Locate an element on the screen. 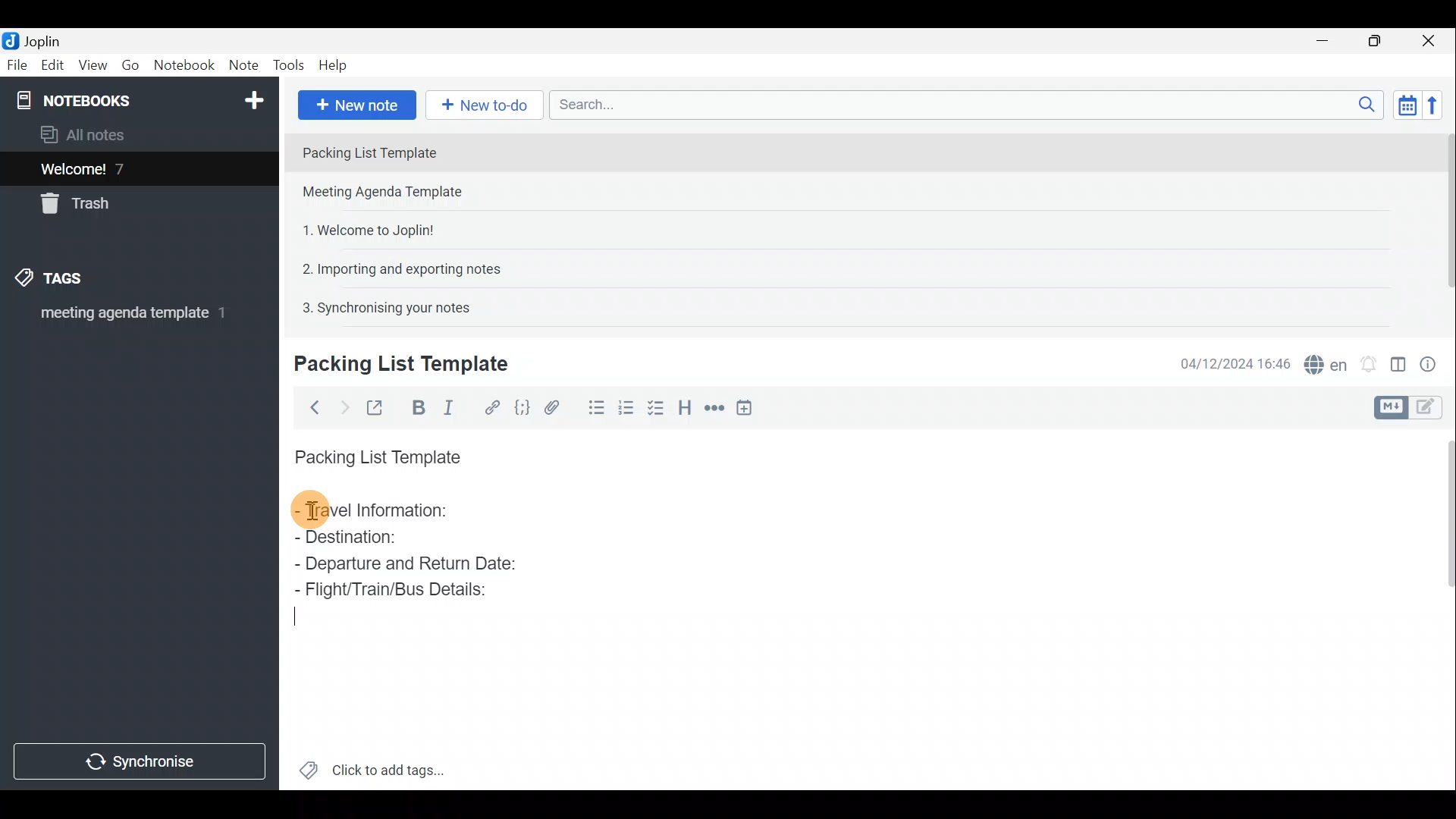 This screenshot has width=1456, height=819. Note 1 is located at coordinates (424, 151).